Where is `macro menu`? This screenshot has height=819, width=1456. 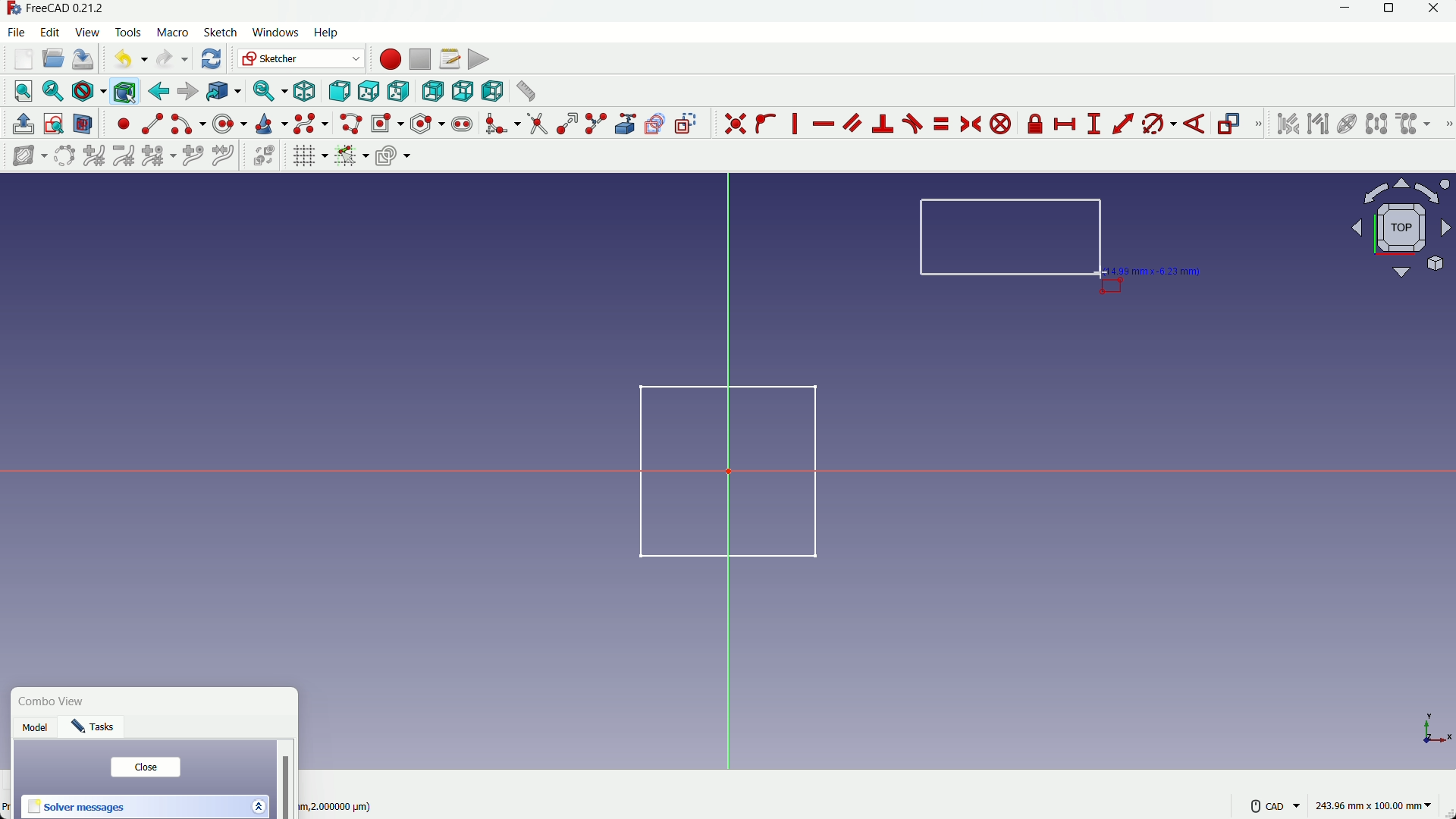
macro menu is located at coordinates (170, 33).